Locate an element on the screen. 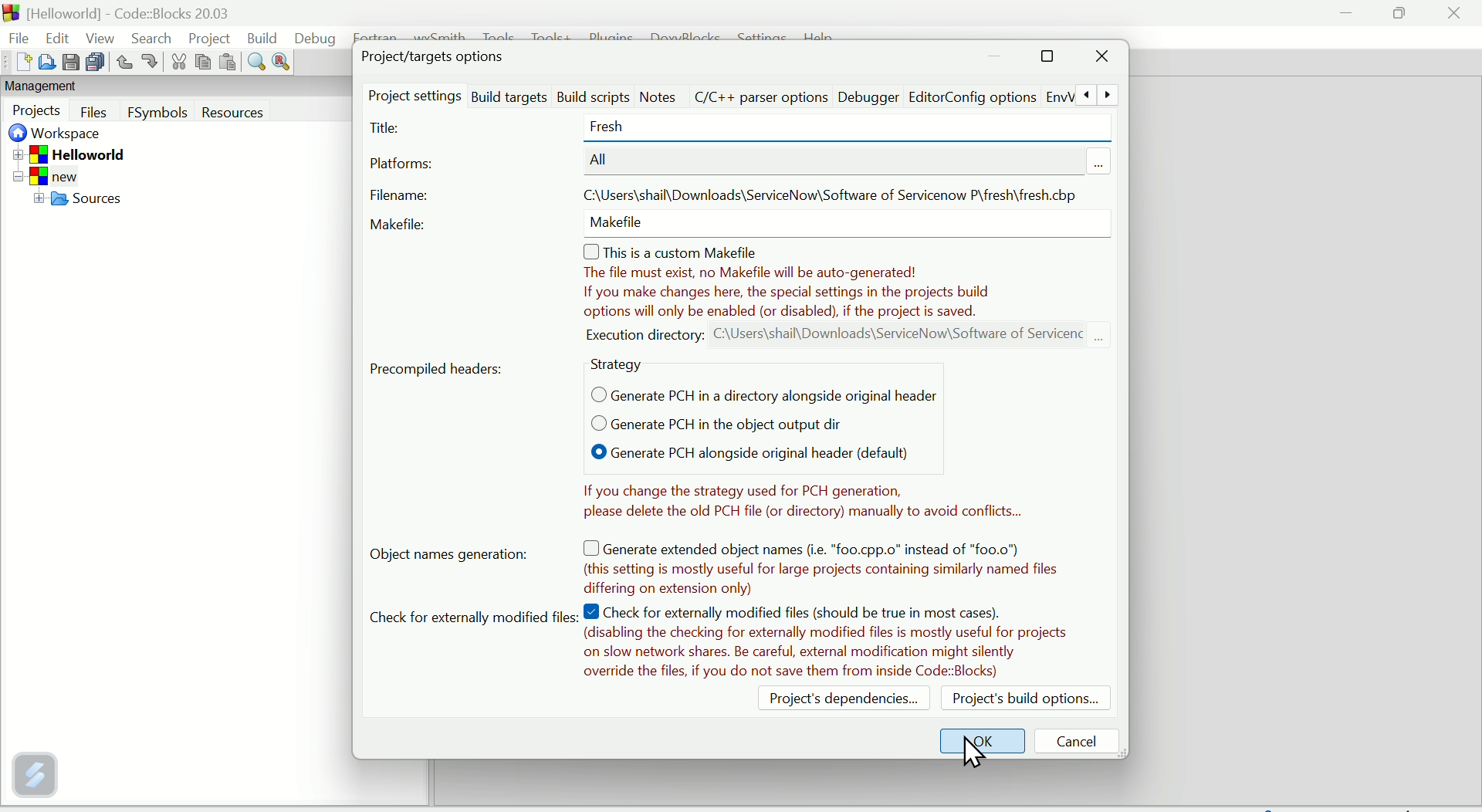 Image resolution: width=1482 pixels, height=812 pixels. minimise is located at coordinates (1347, 15).